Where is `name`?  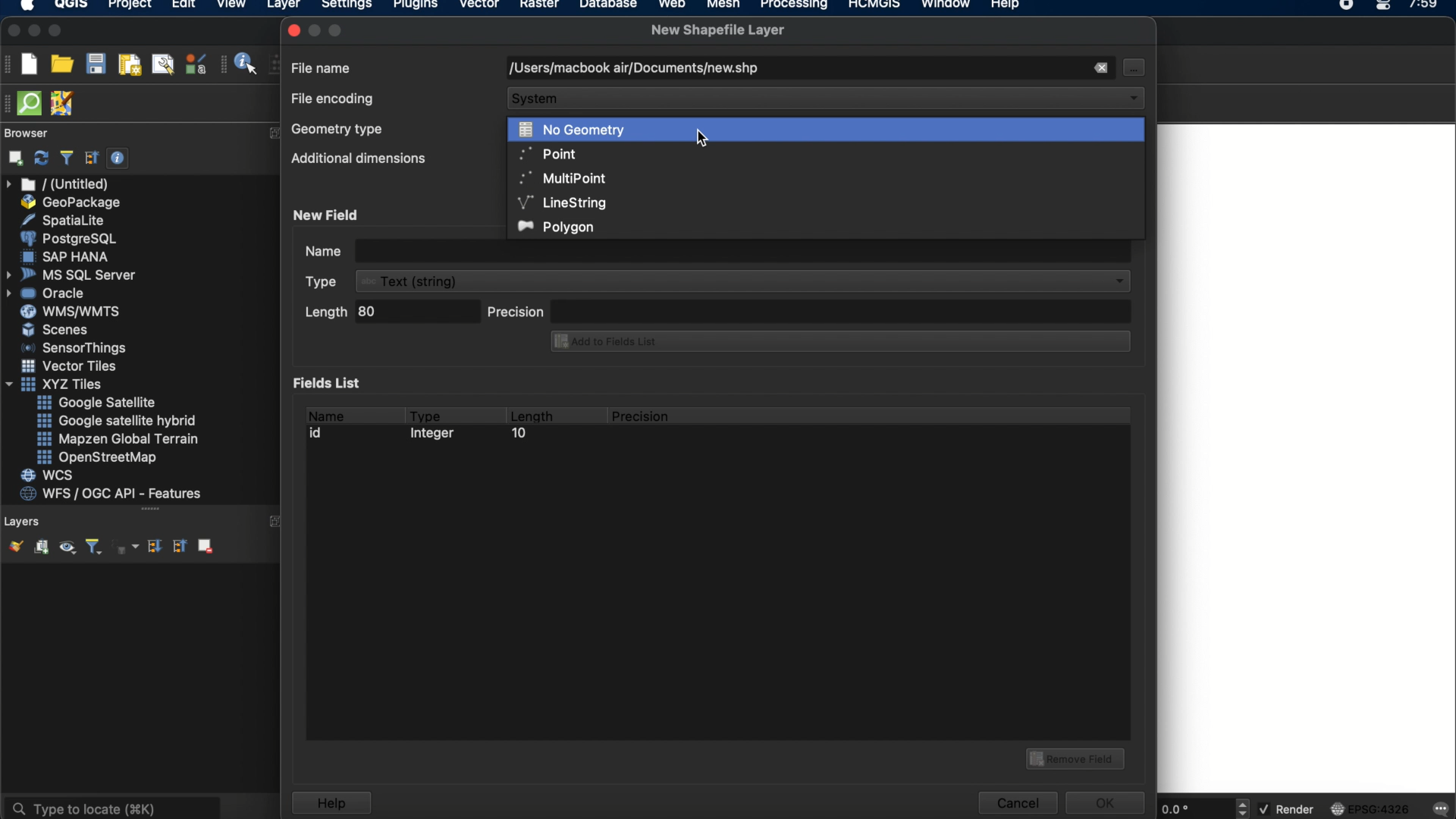
name is located at coordinates (325, 413).